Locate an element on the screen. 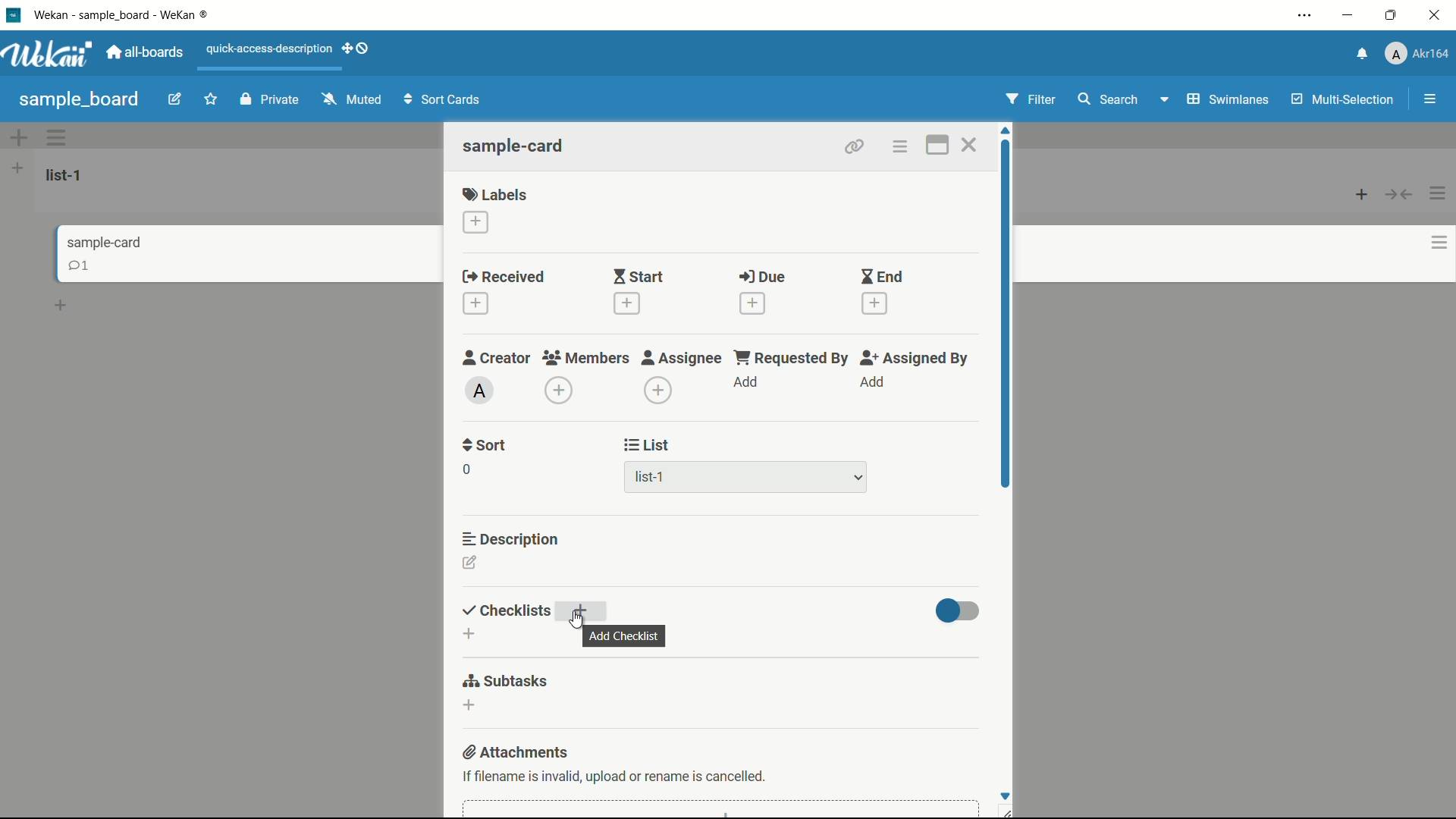  dropdown is located at coordinates (859, 478).